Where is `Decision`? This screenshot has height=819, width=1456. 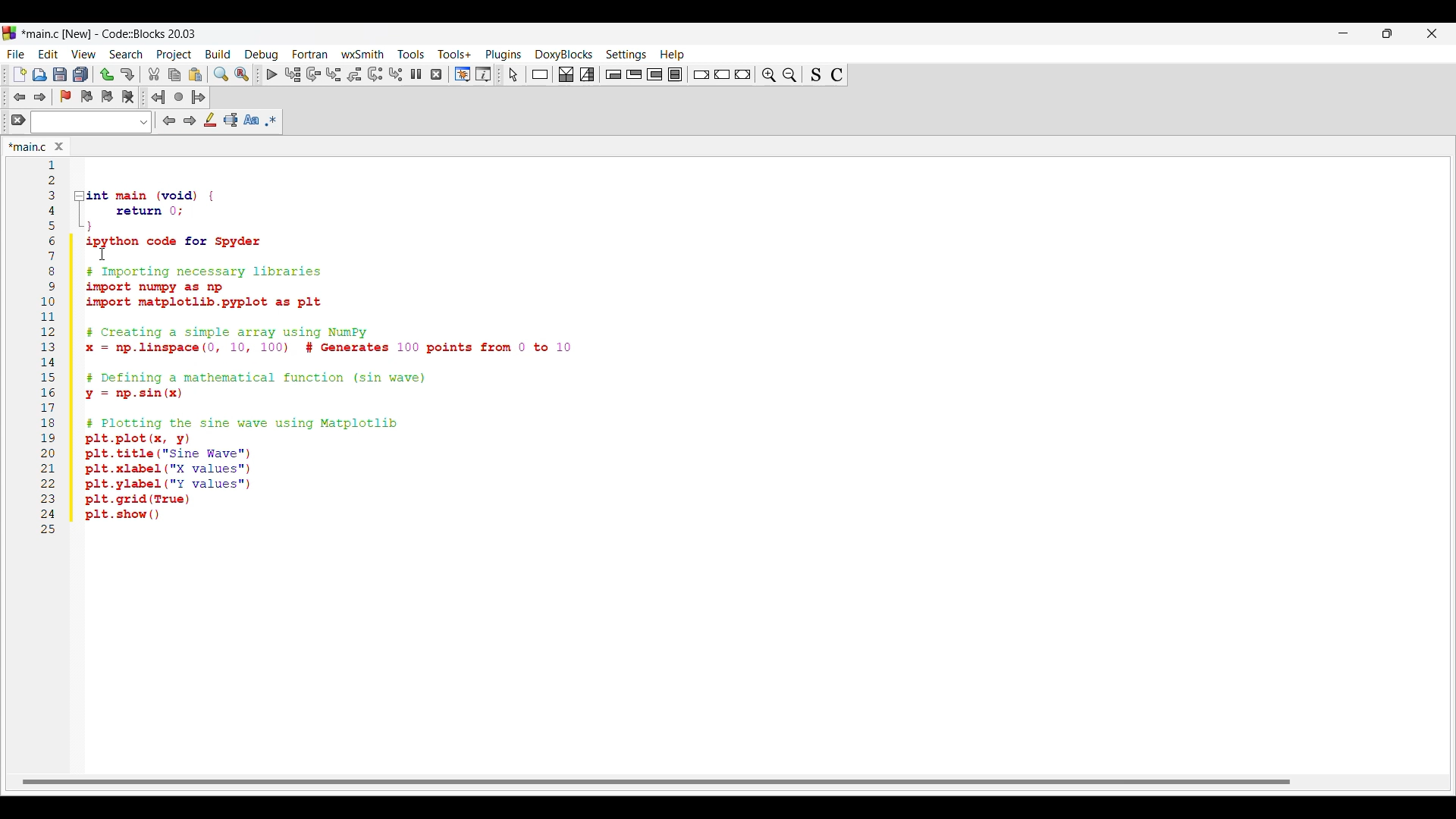 Decision is located at coordinates (566, 74).